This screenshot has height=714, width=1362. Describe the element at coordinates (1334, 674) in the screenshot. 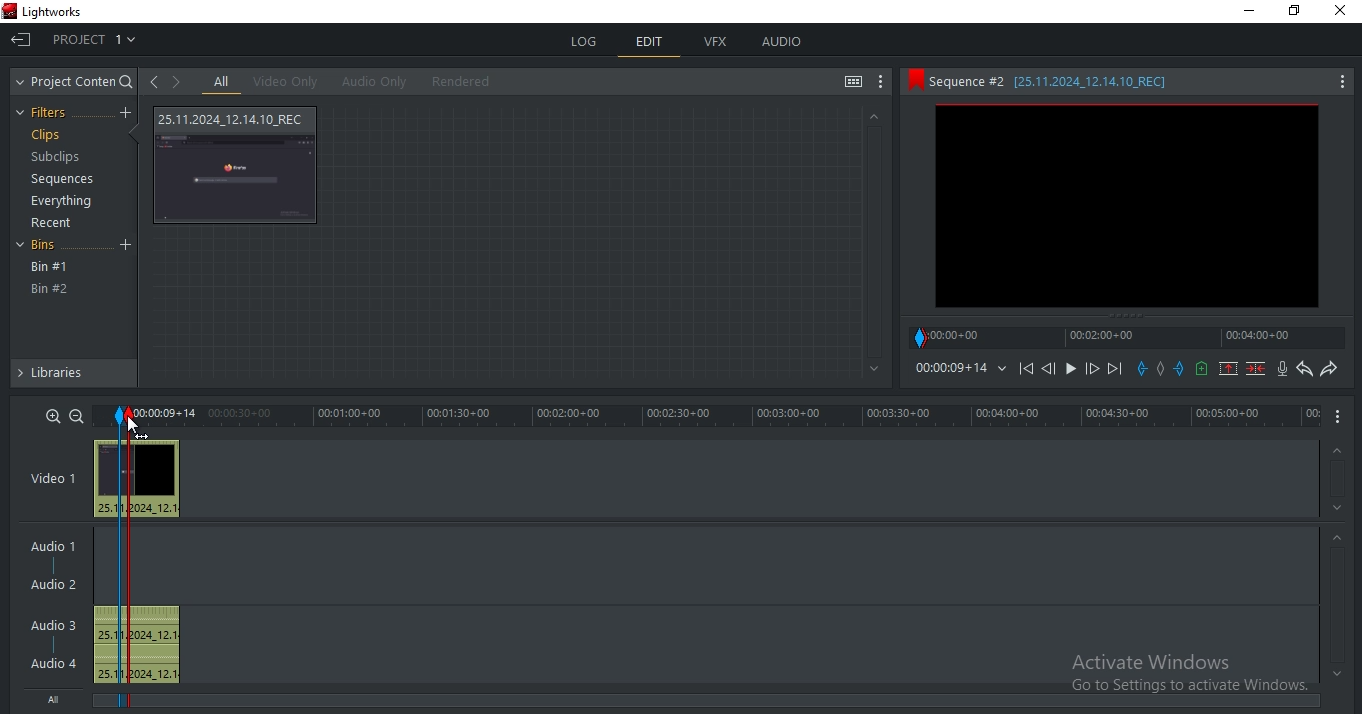

I see `Bottom` at that location.